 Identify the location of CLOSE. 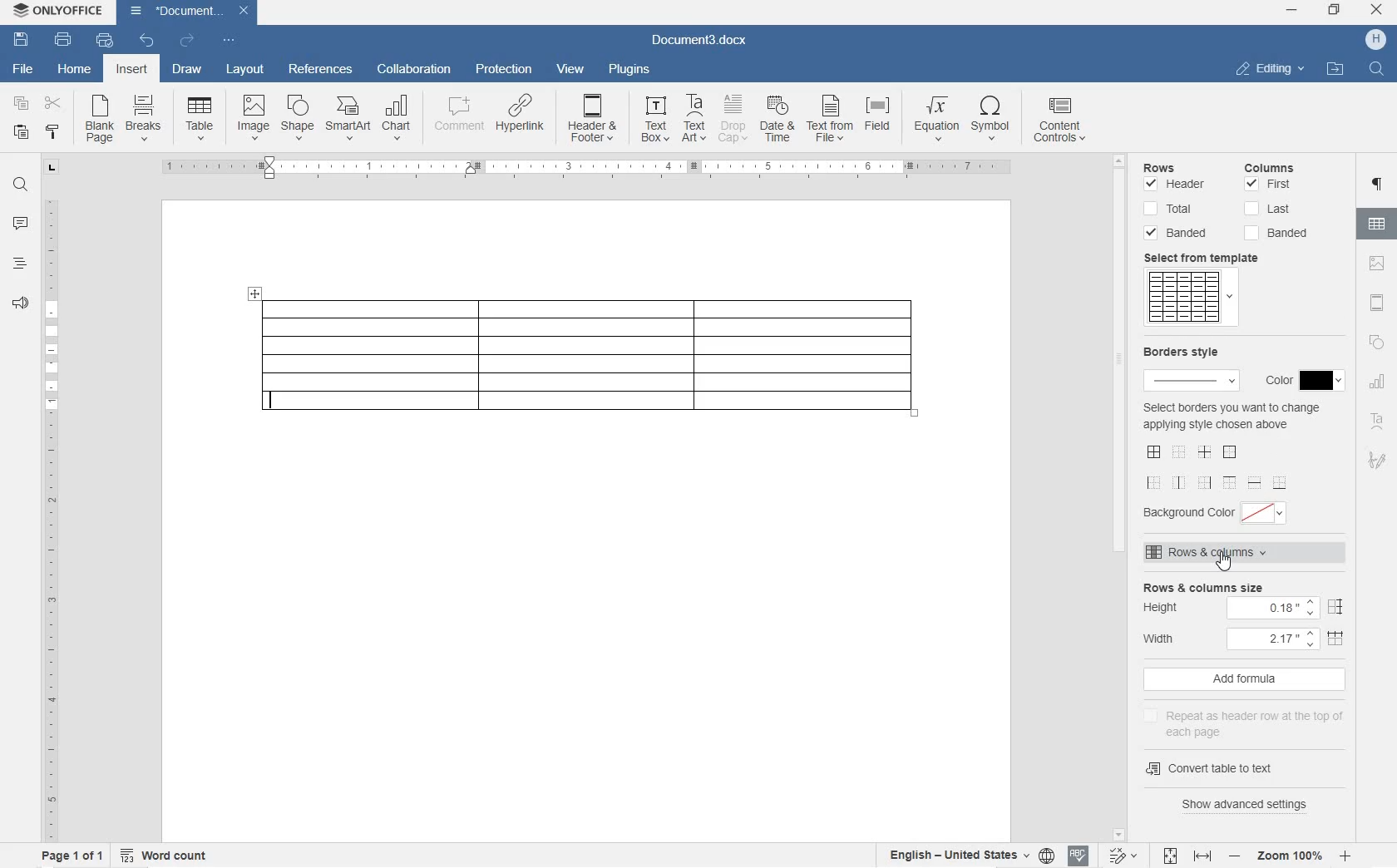
(1377, 9).